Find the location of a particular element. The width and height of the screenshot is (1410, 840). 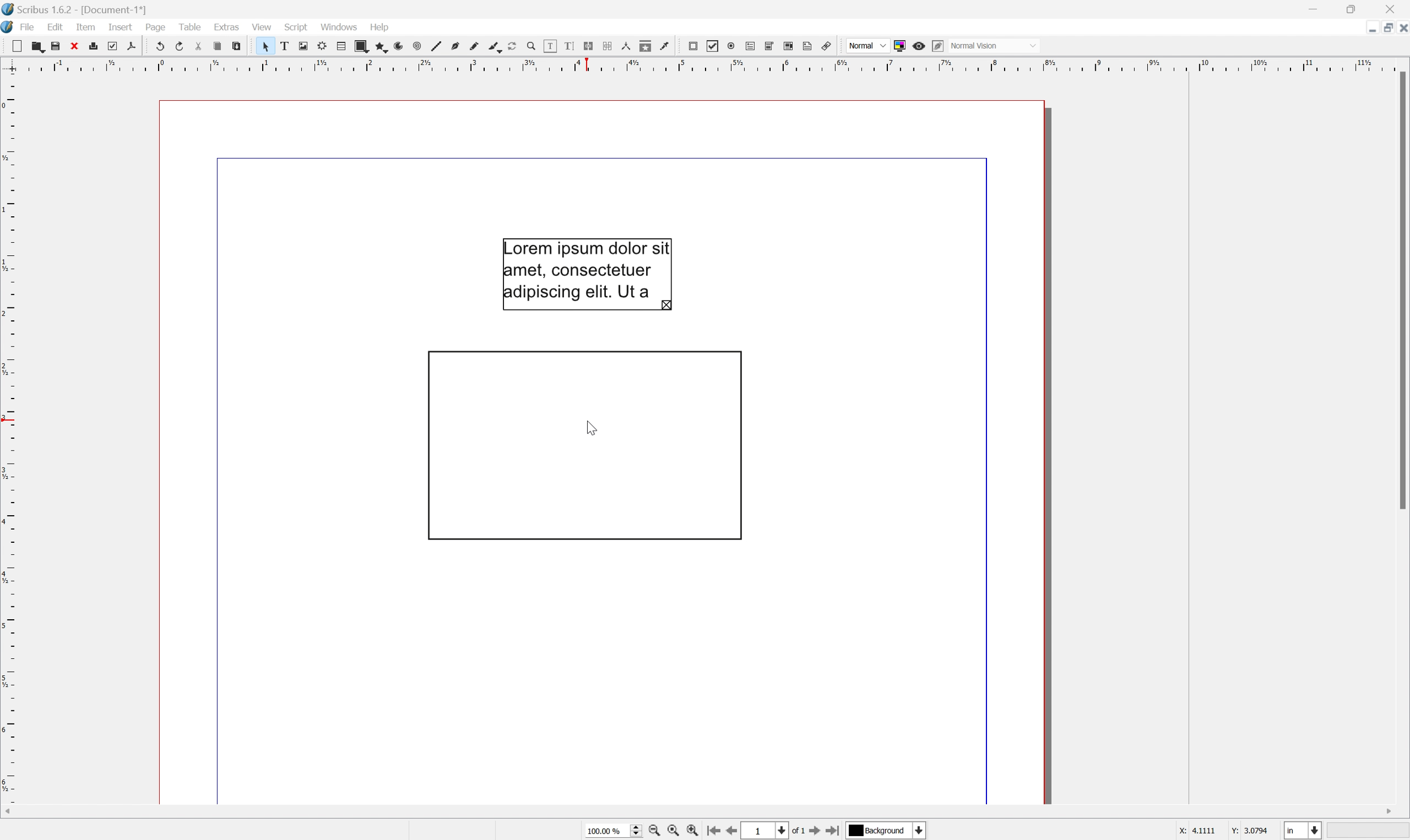

Select the current payer is located at coordinates (887, 832).